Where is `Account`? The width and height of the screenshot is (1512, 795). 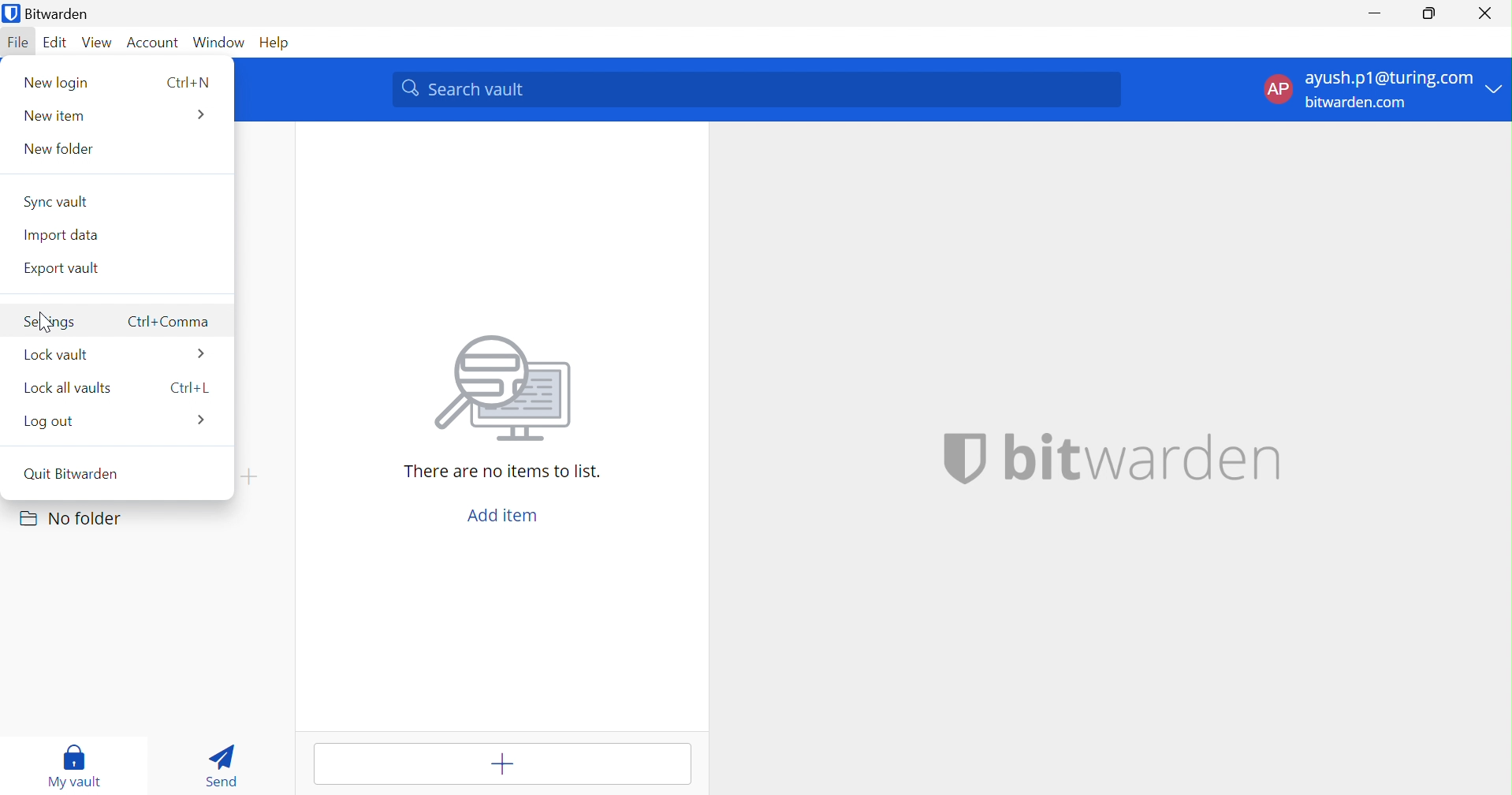 Account is located at coordinates (154, 43).